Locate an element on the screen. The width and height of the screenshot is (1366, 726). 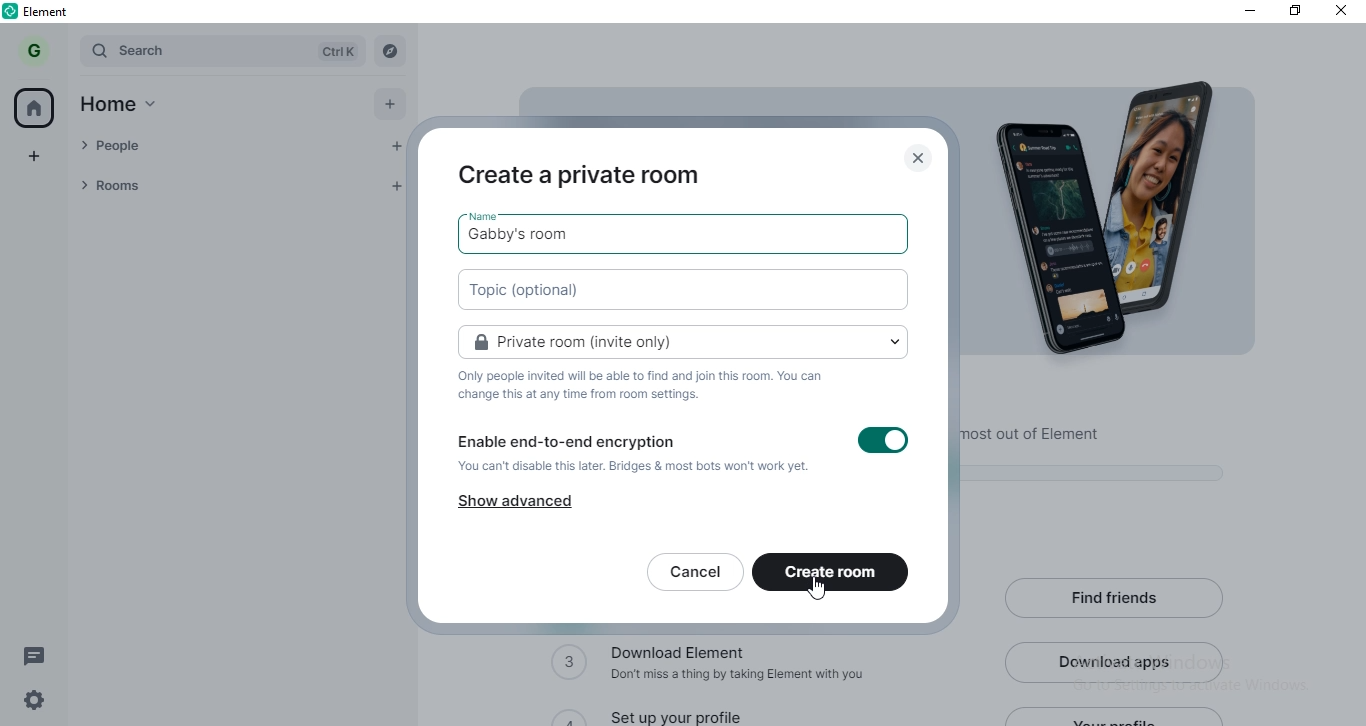
search  is located at coordinates (222, 51).